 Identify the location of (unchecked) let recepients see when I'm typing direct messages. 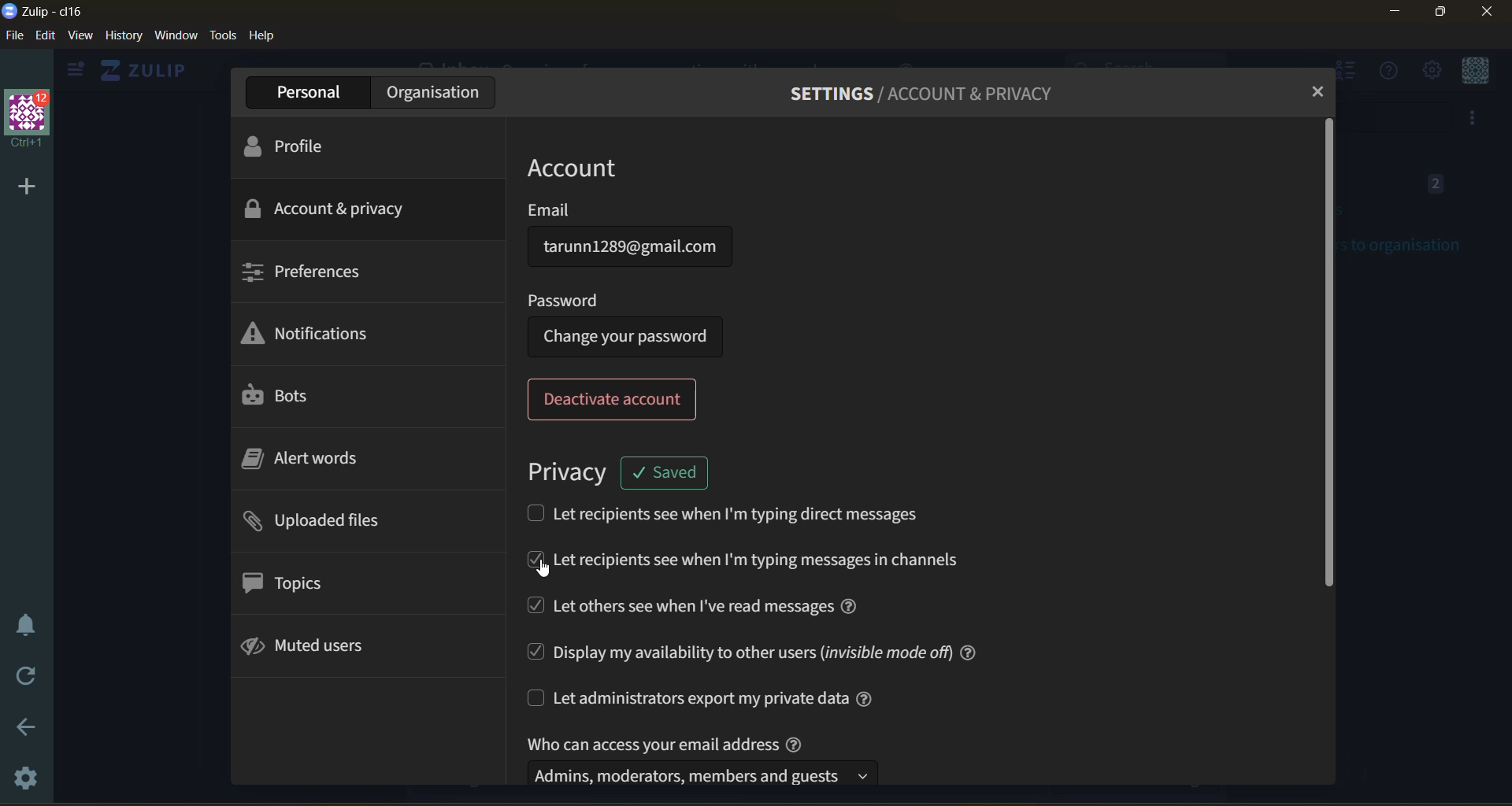
(736, 512).